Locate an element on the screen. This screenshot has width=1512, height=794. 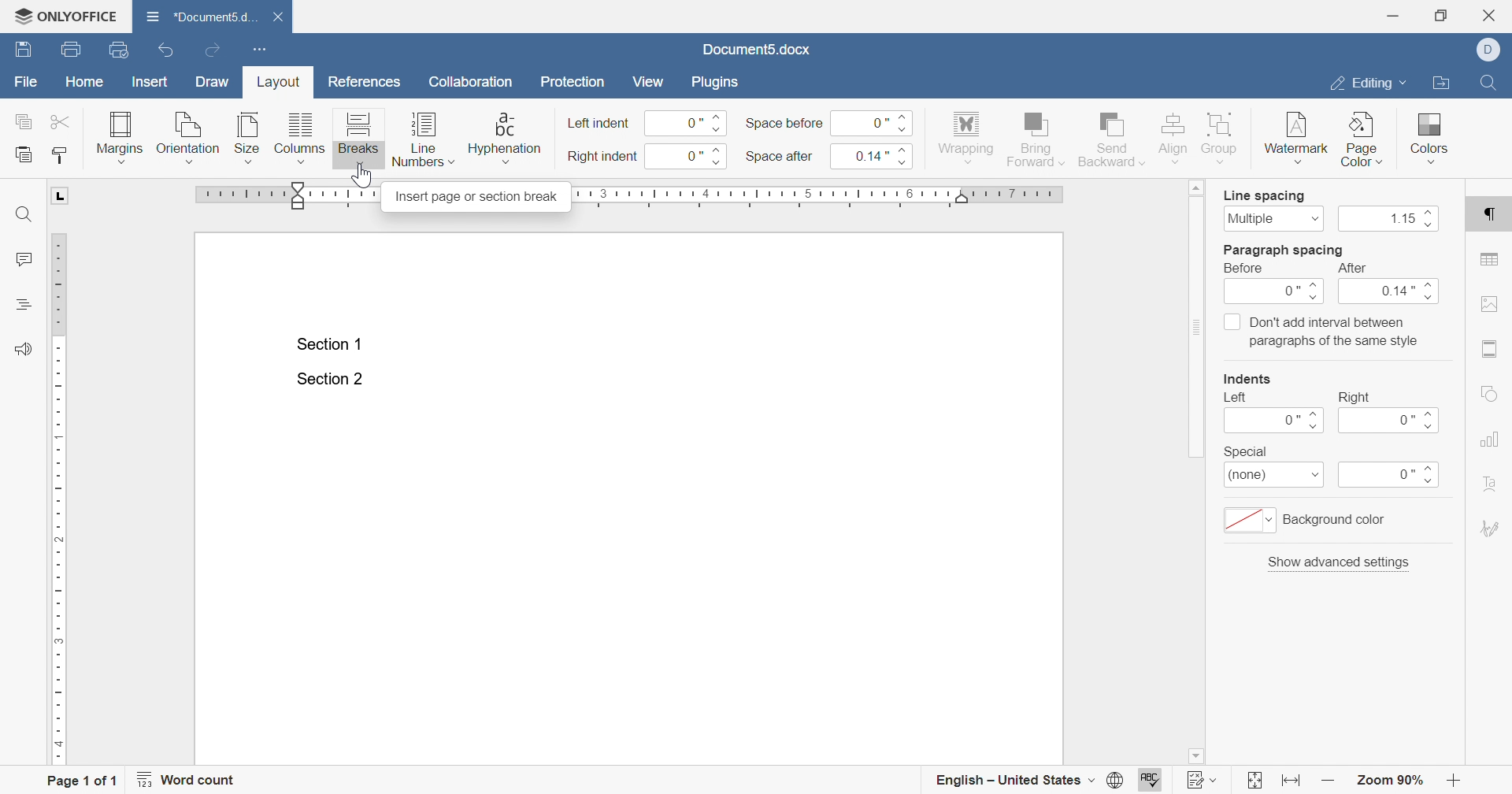
restore down is located at coordinates (1441, 16).